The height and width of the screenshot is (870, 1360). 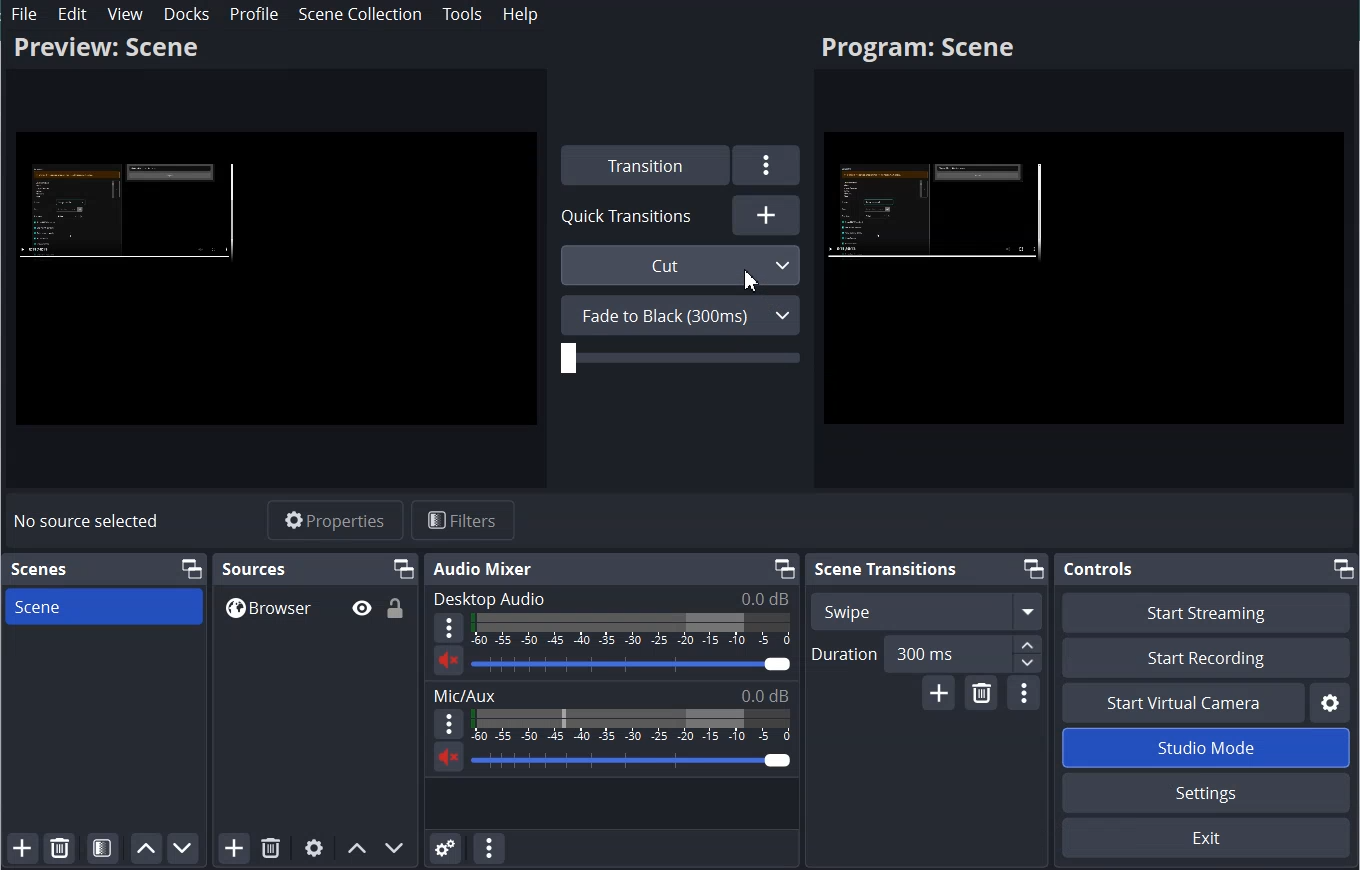 I want to click on Fade Adjuster, so click(x=680, y=358).